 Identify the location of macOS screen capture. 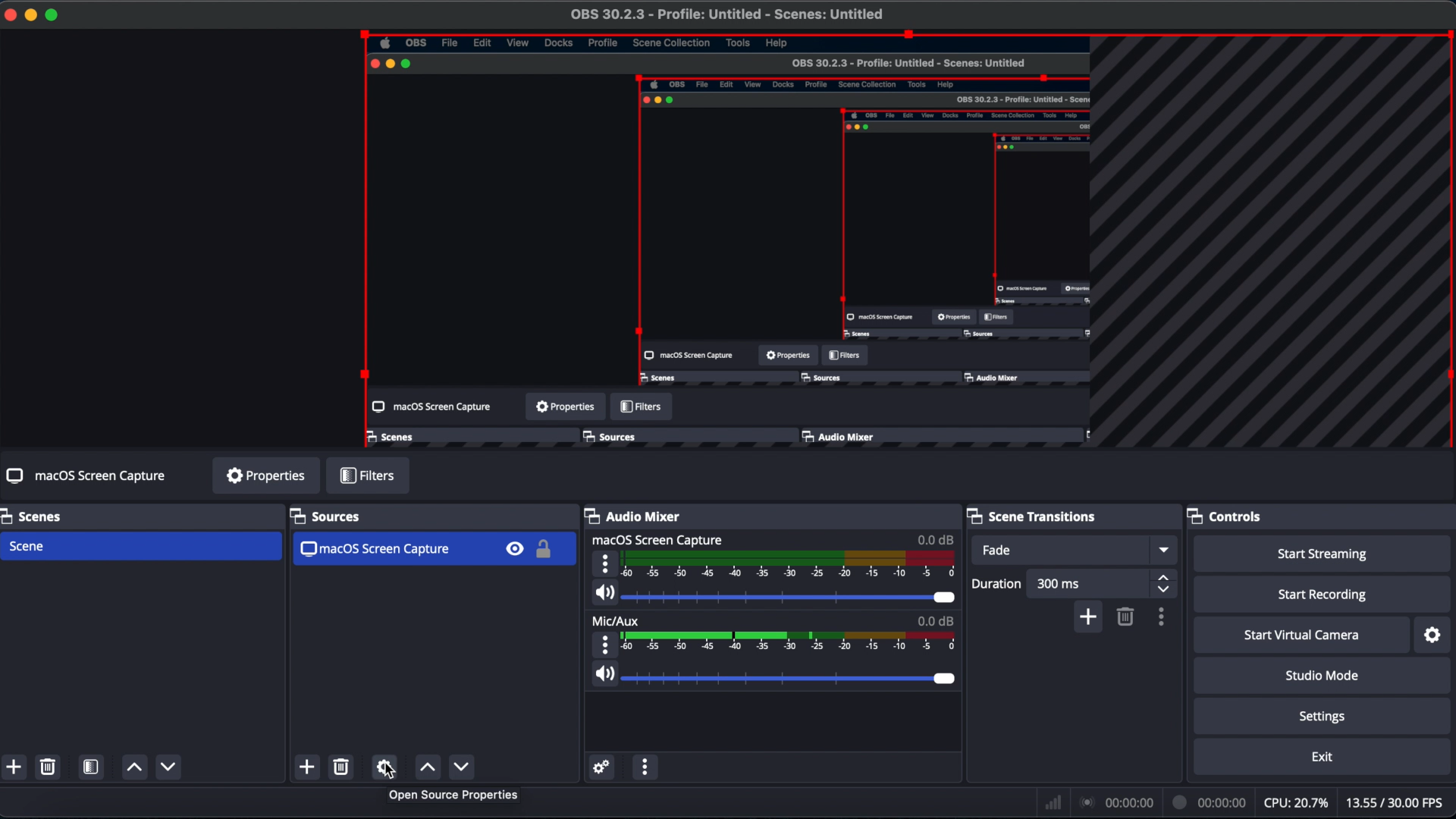
(658, 539).